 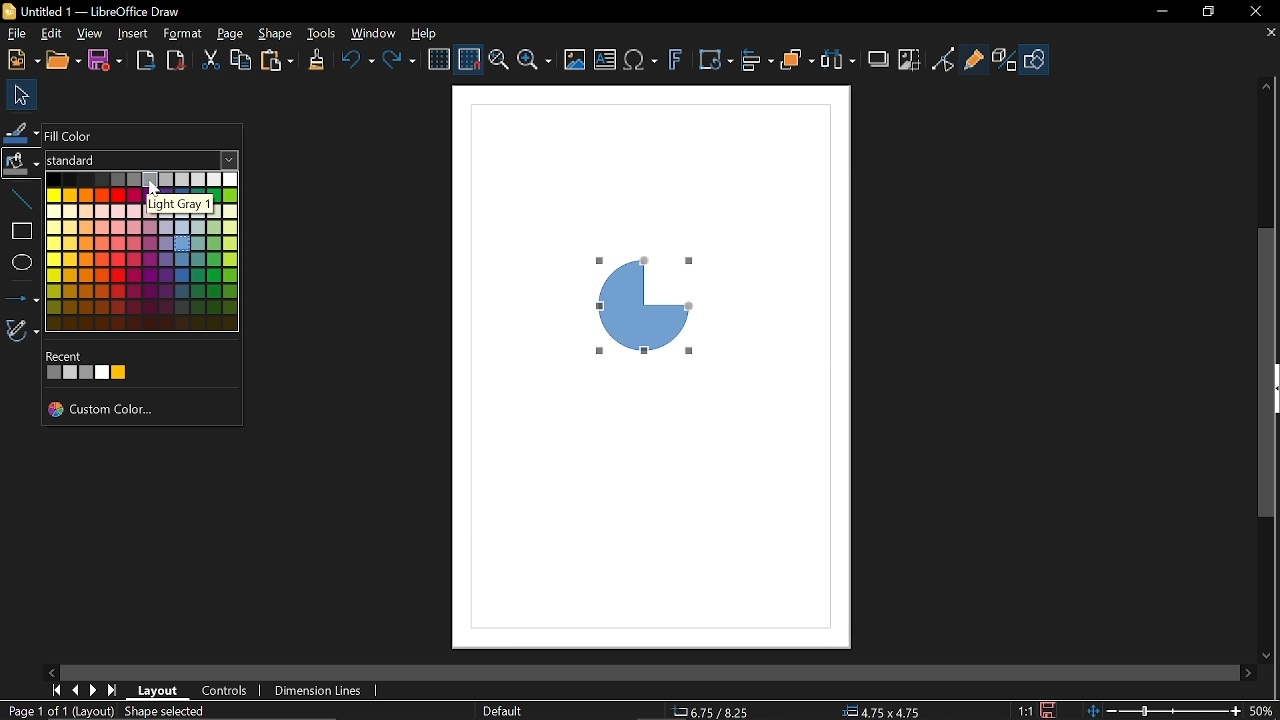 What do you see at coordinates (48, 33) in the screenshot?
I see `Edit` at bounding box center [48, 33].